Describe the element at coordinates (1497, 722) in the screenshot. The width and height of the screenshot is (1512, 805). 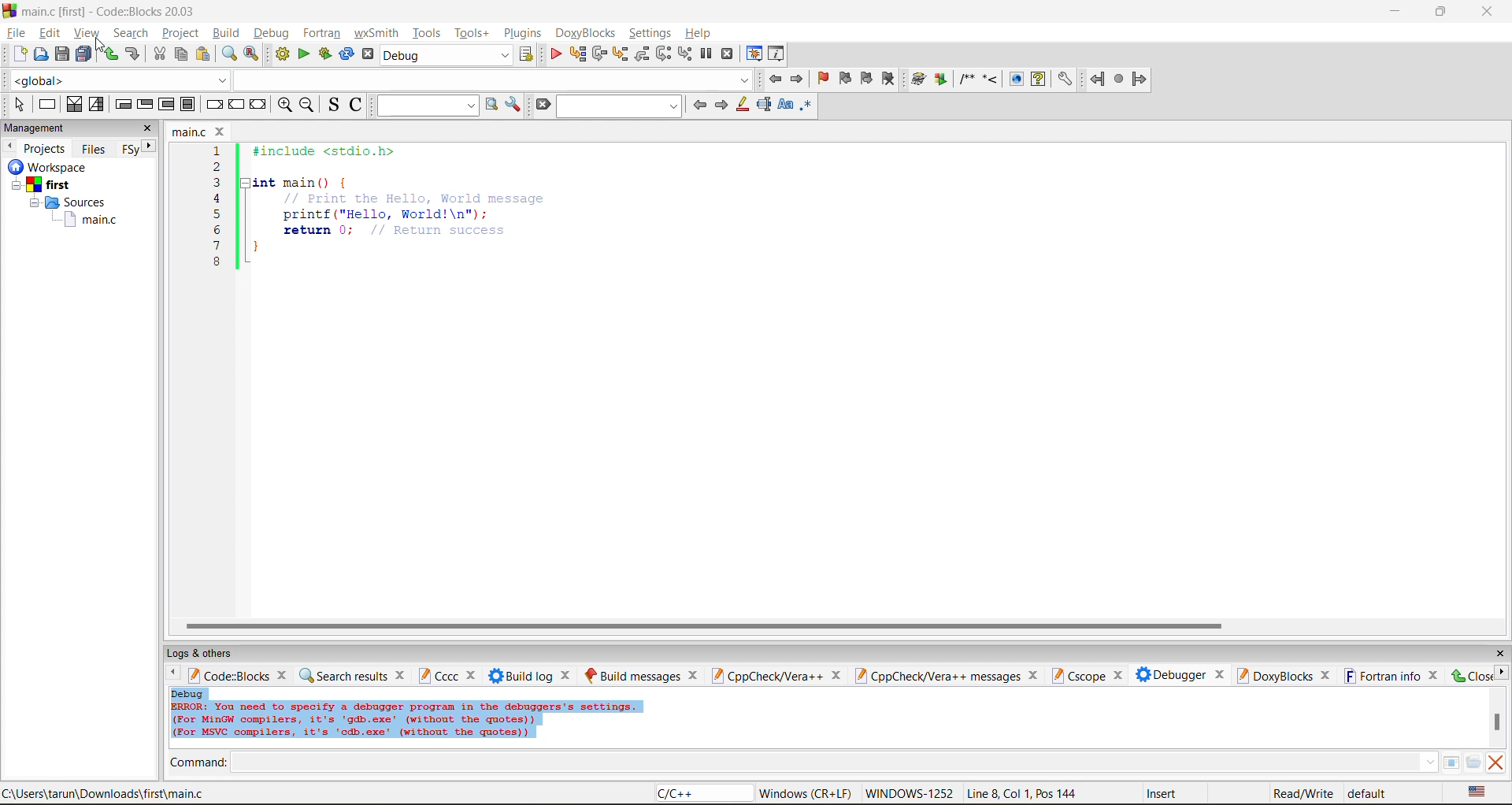
I see `vertical scroll bar` at that location.